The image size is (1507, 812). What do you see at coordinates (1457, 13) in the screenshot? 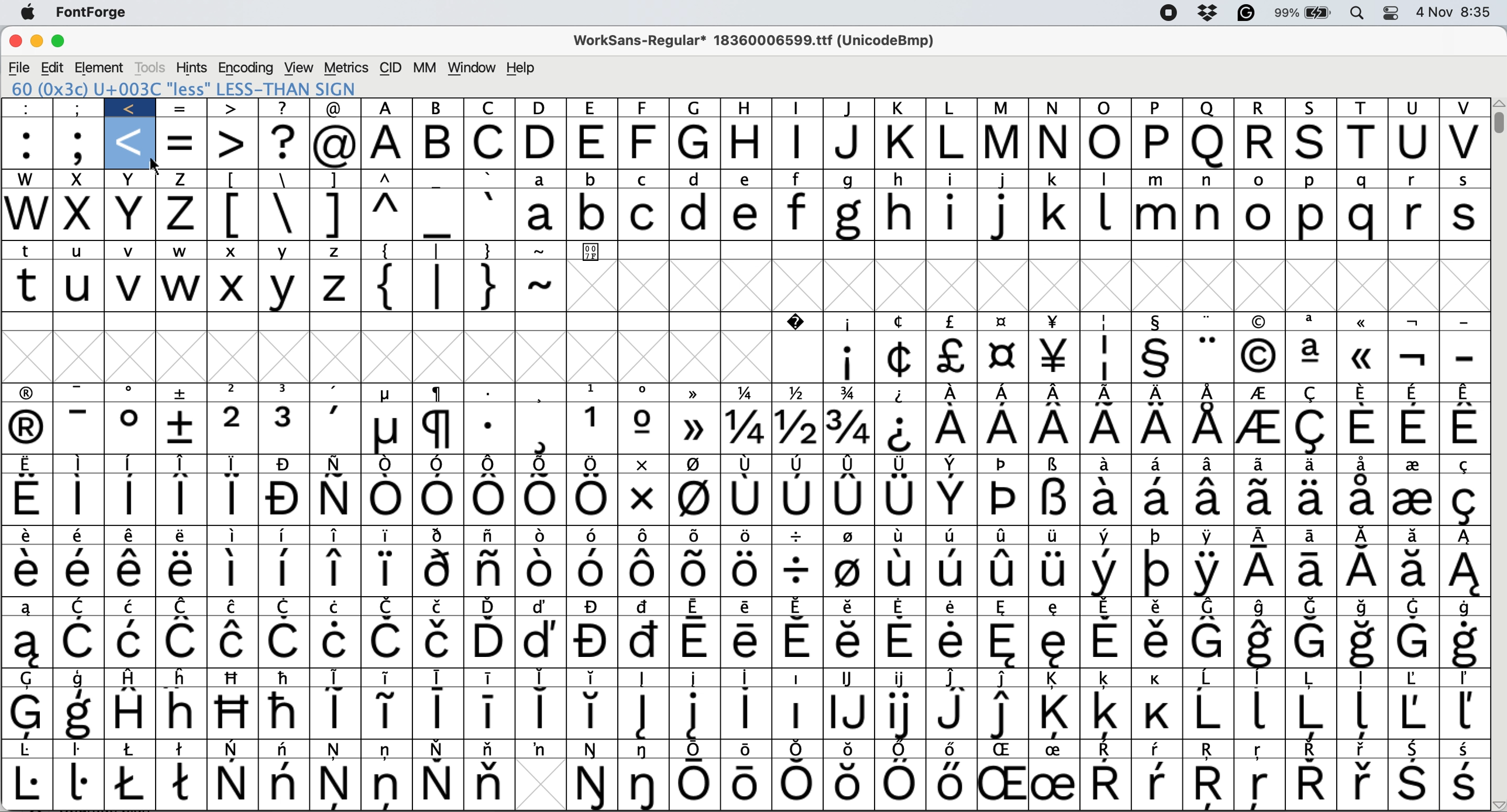
I see `4 Nov 8:35` at bounding box center [1457, 13].